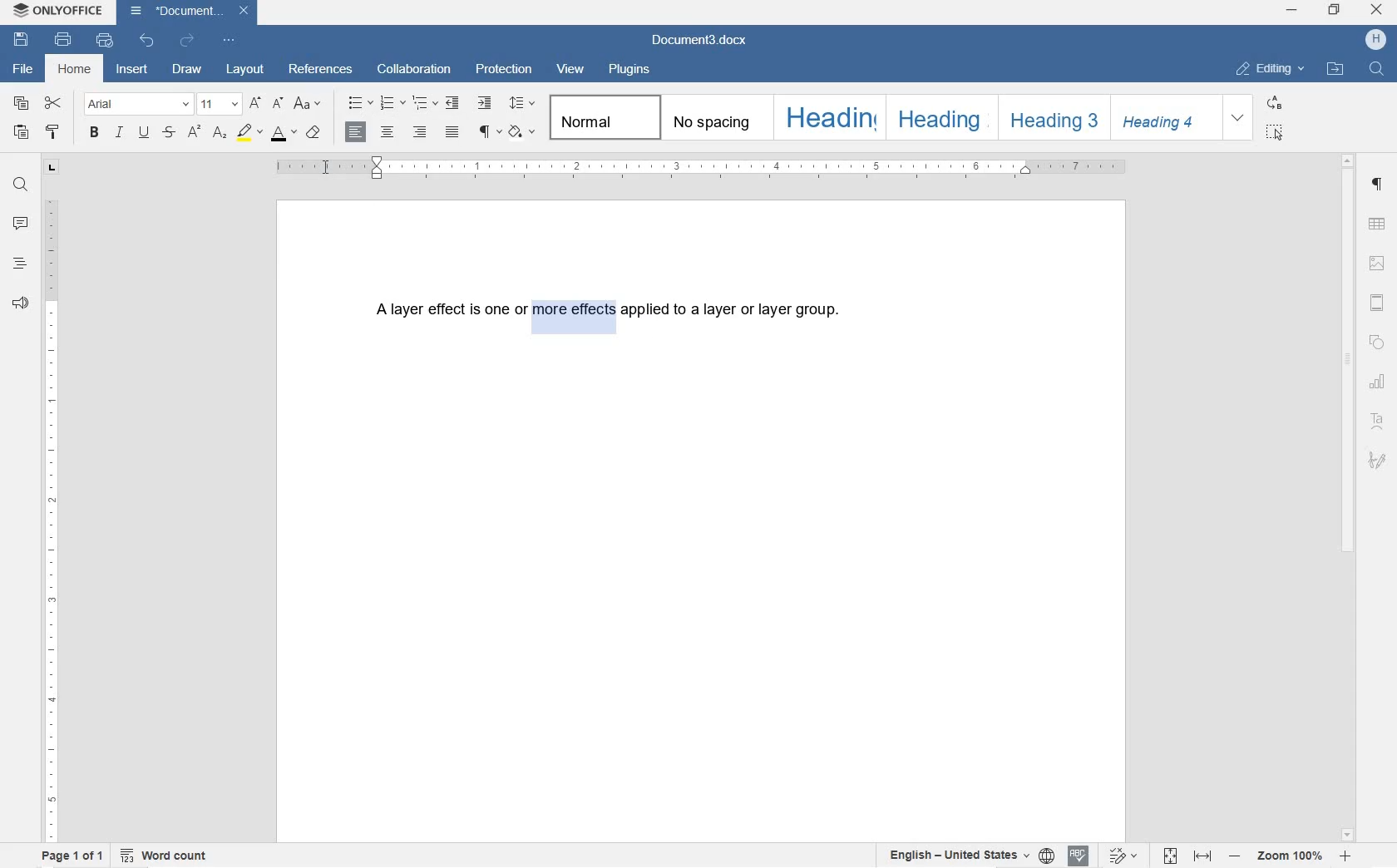 The width and height of the screenshot is (1397, 868). What do you see at coordinates (1191, 857) in the screenshot?
I see `FIT TO PAGE/WIDTH` at bounding box center [1191, 857].